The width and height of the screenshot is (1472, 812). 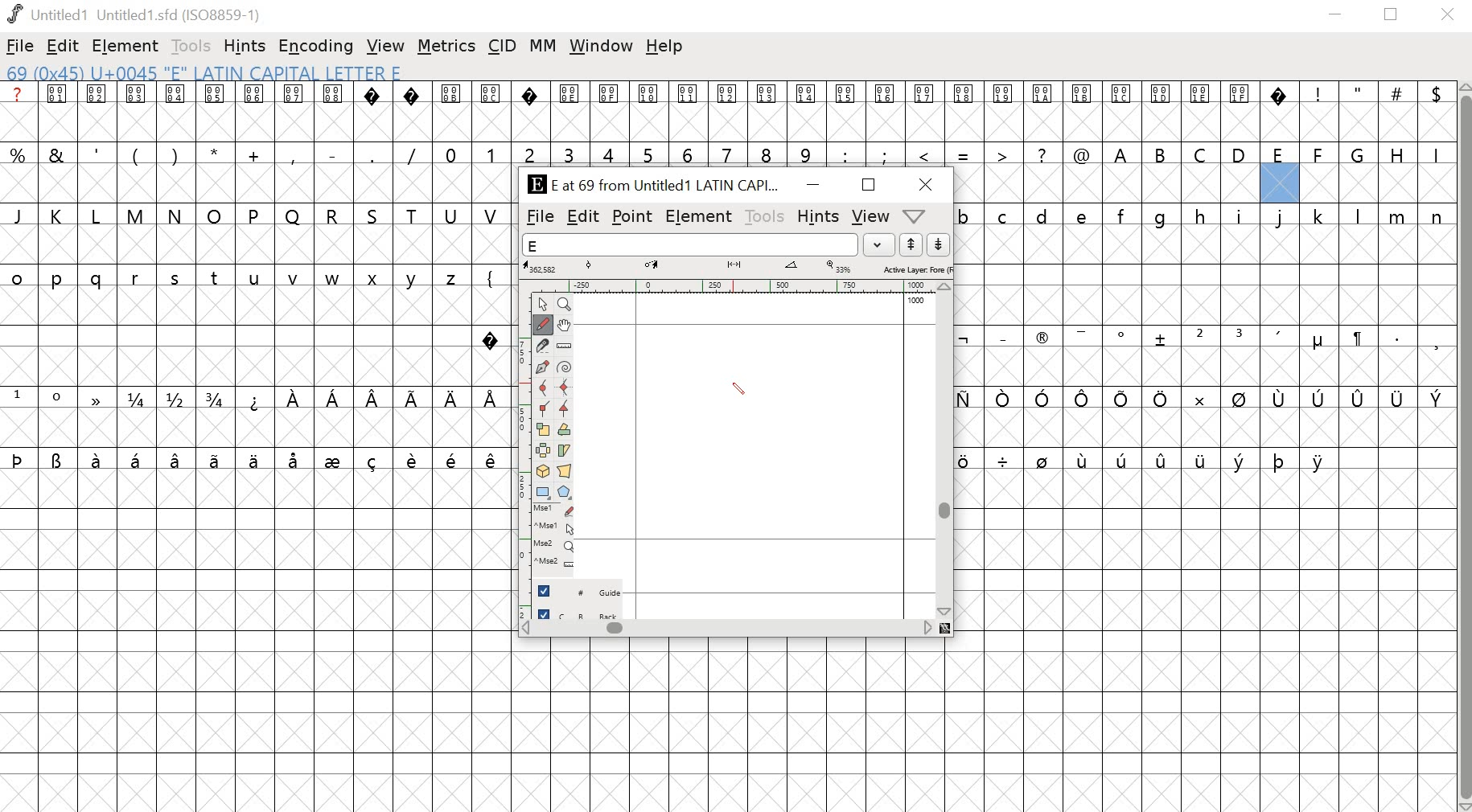 I want to click on special character, so click(x=495, y=337).